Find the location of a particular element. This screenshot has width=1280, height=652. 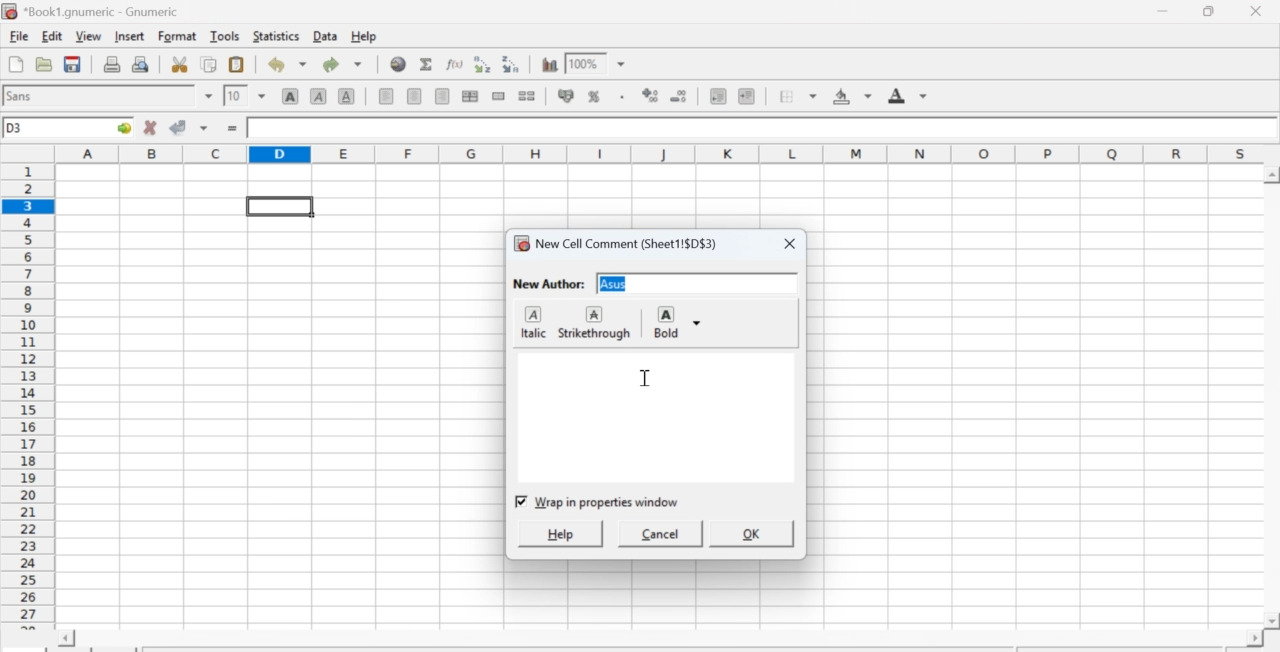

Zoom is located at coordinates (586, 62).